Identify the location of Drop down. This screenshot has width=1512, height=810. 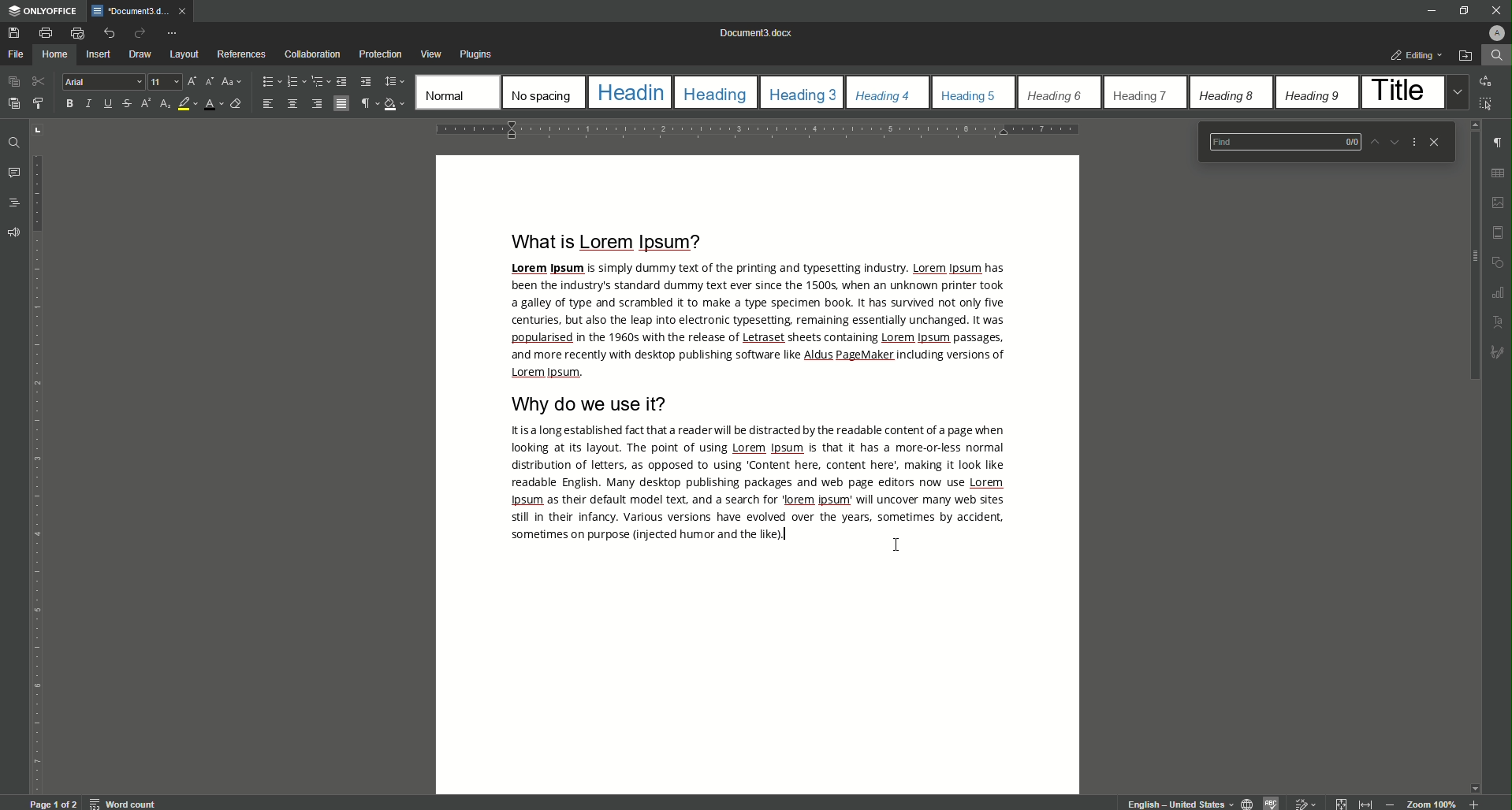
(1454, 92).